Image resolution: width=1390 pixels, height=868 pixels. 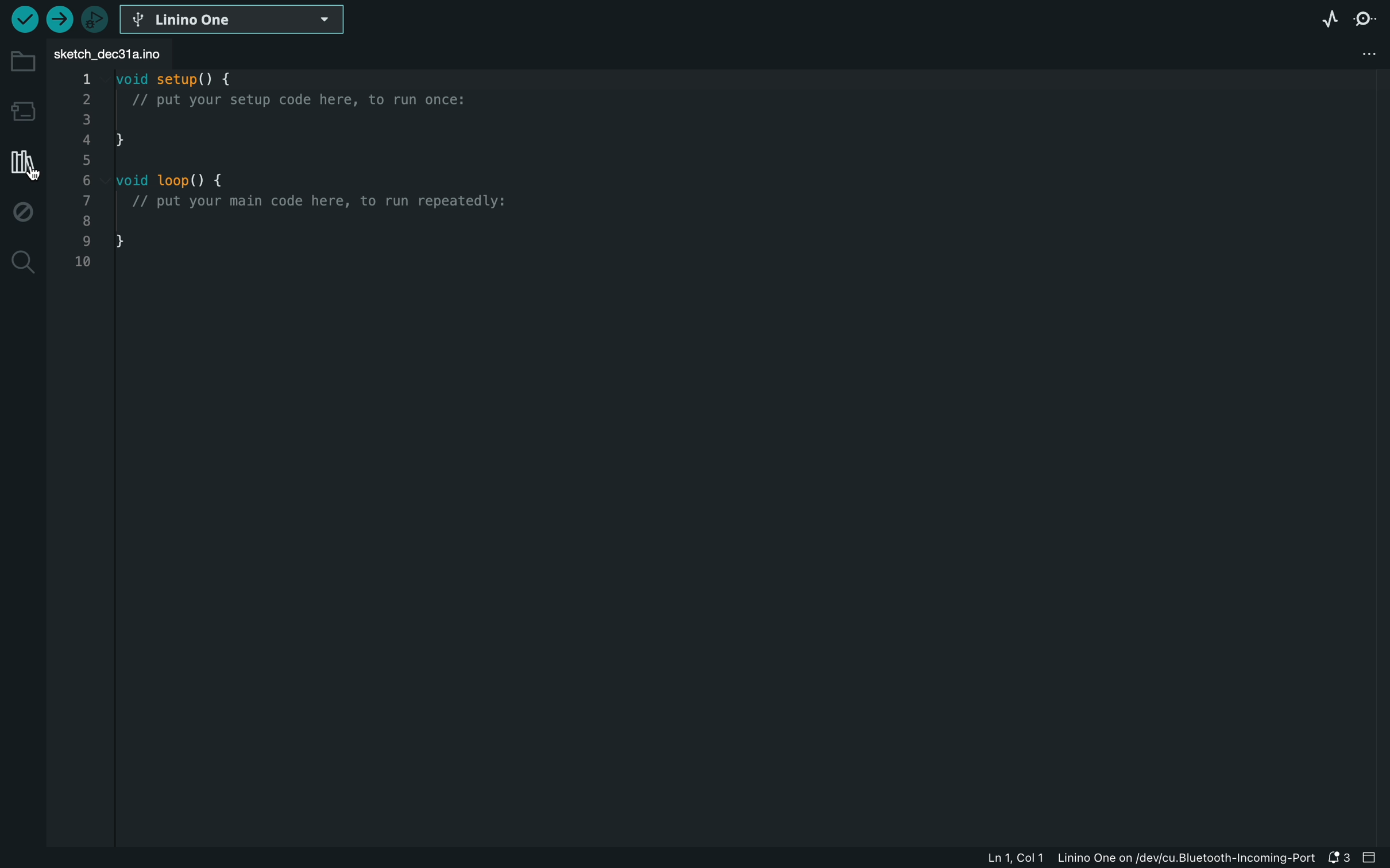 I want to click on search, so click(x=20, y=262).